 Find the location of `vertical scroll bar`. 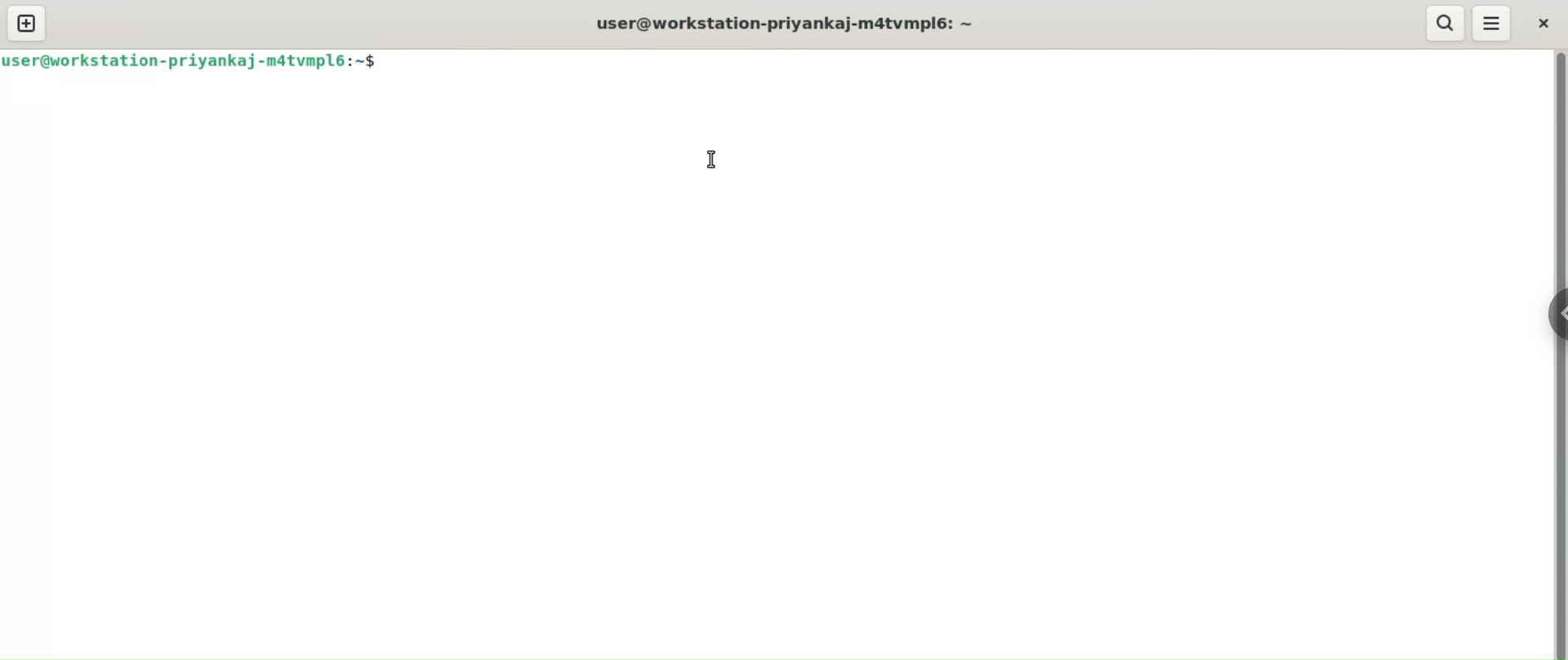

vertical scroll bar is located at coordinates (1558, 352).